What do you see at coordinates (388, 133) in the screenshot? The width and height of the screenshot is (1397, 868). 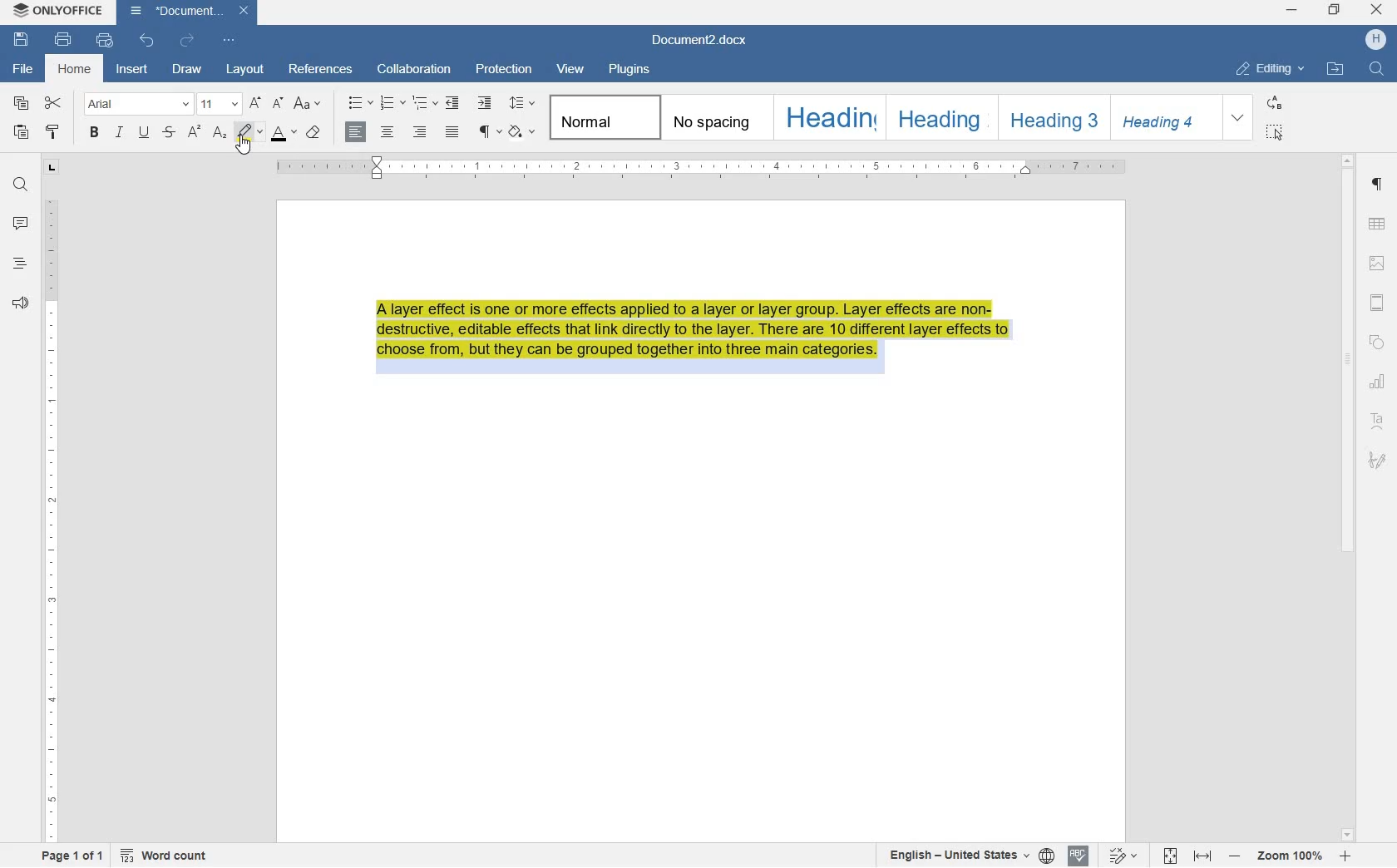 I see `CENTER ALIGNMENT` at bounding box center [388, 133].